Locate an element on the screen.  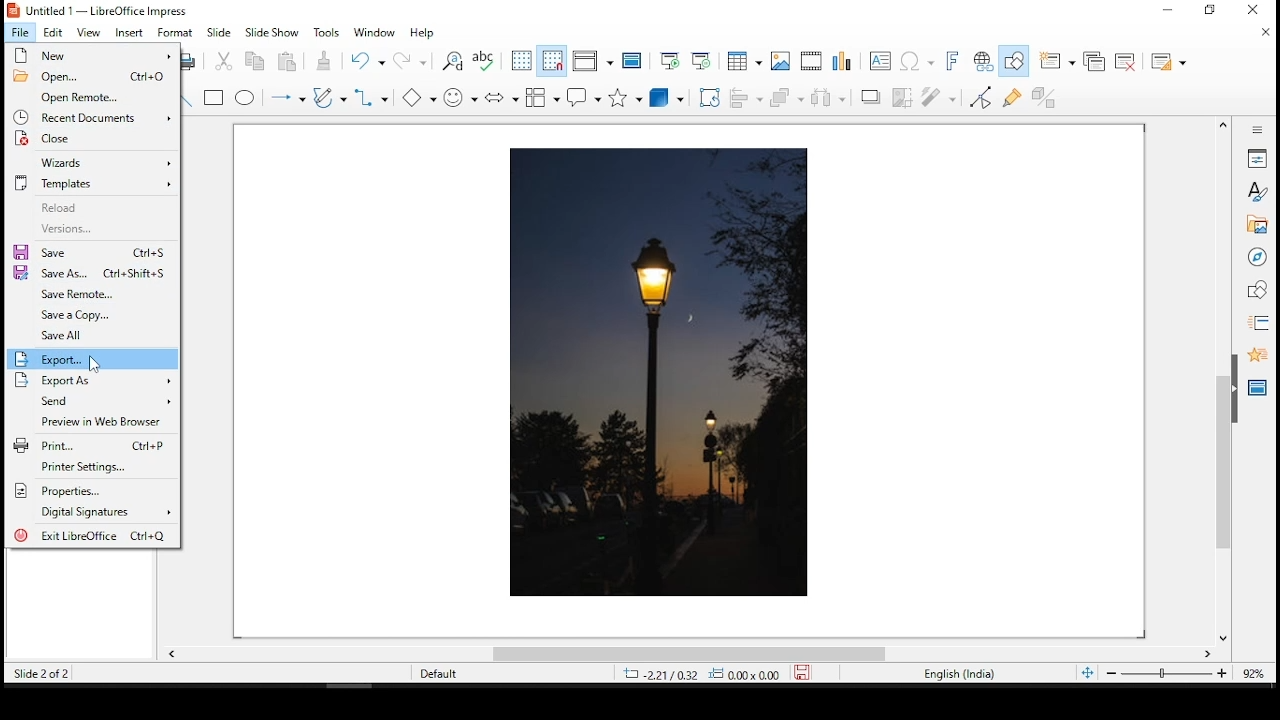
save as is located at coordinates (90, 275).